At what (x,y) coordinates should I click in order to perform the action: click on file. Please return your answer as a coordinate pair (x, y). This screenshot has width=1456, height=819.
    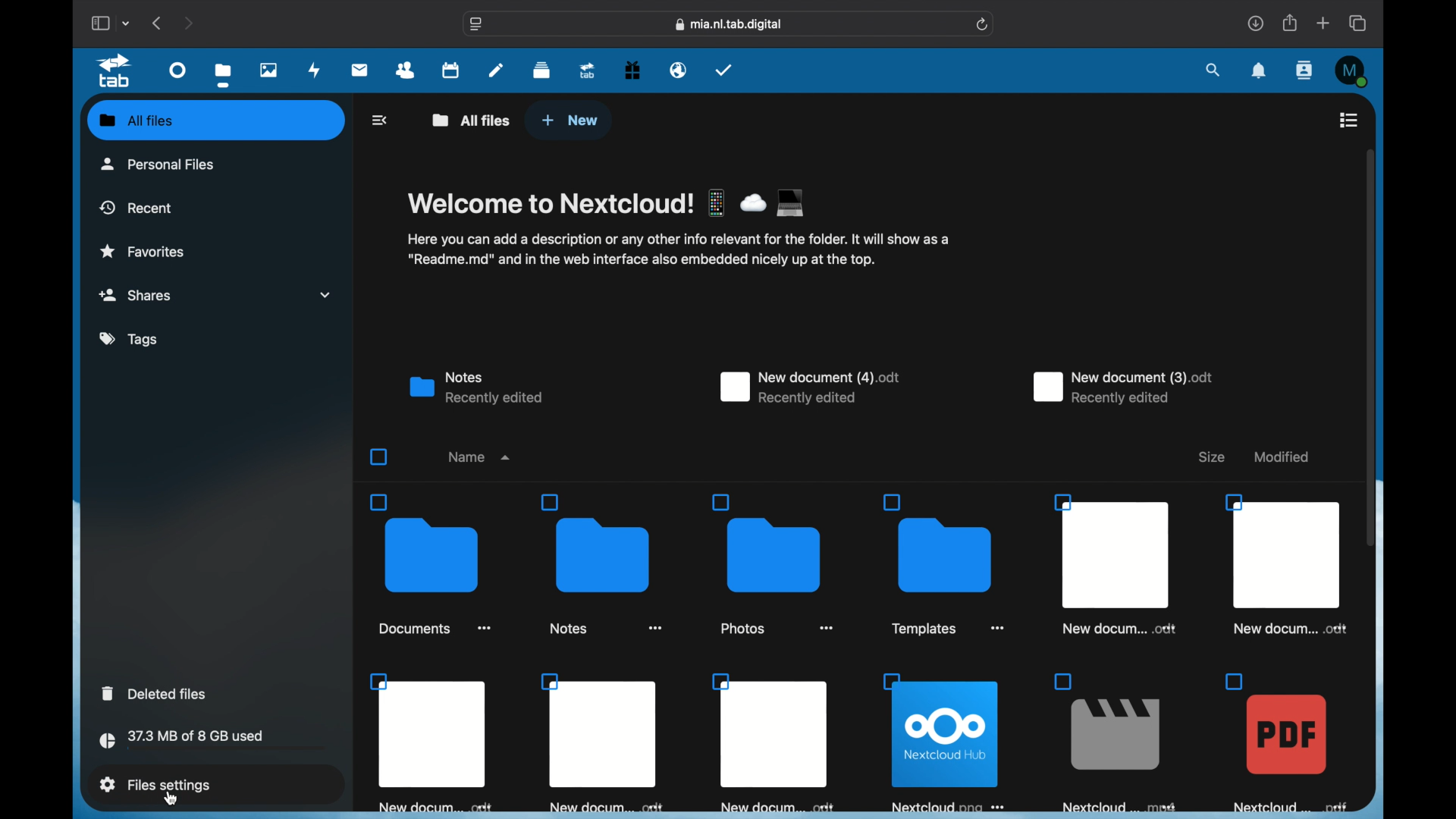
    Looking at the image, I should click on (940, 742).